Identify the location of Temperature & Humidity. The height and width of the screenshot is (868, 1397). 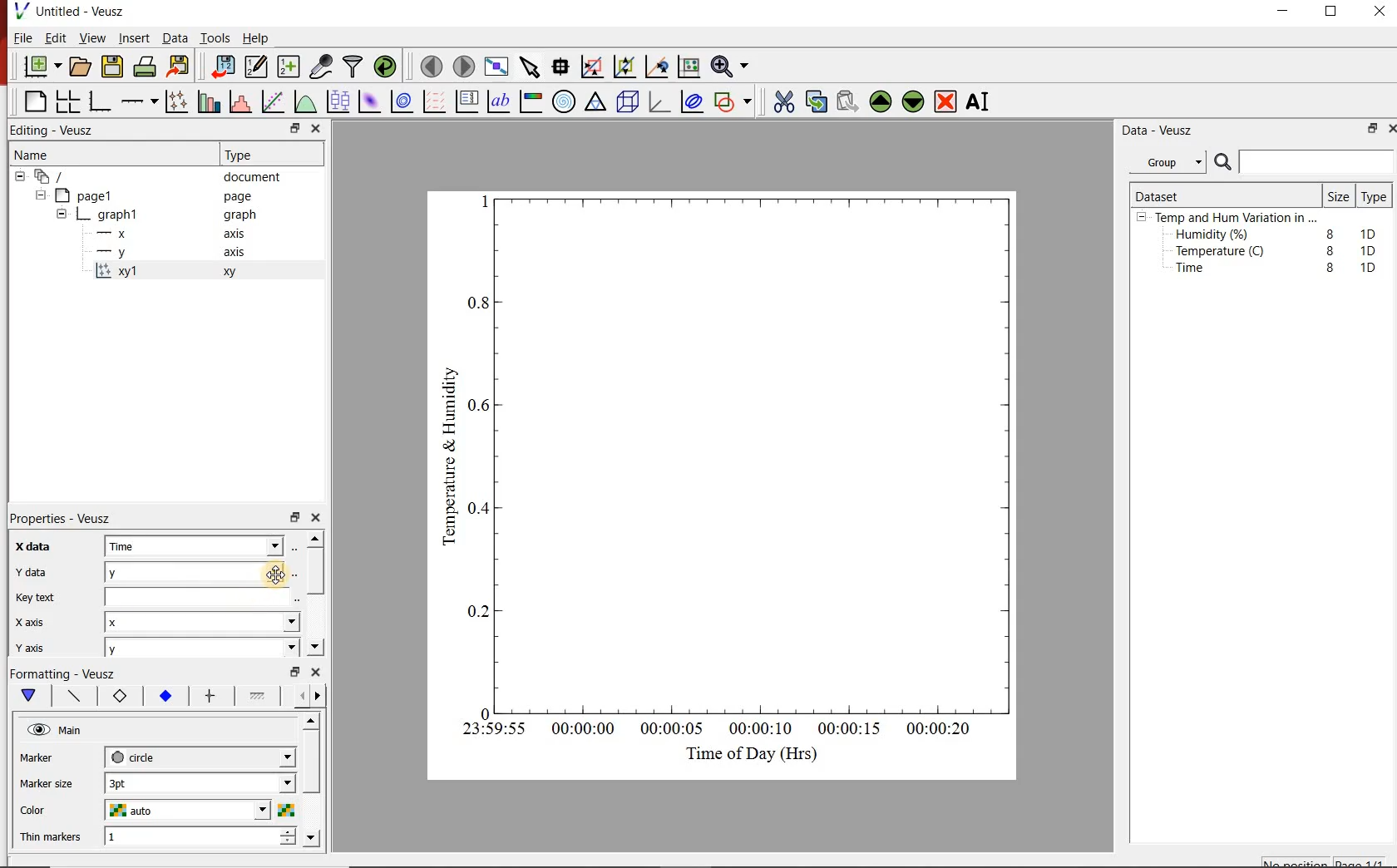
(449, 451).